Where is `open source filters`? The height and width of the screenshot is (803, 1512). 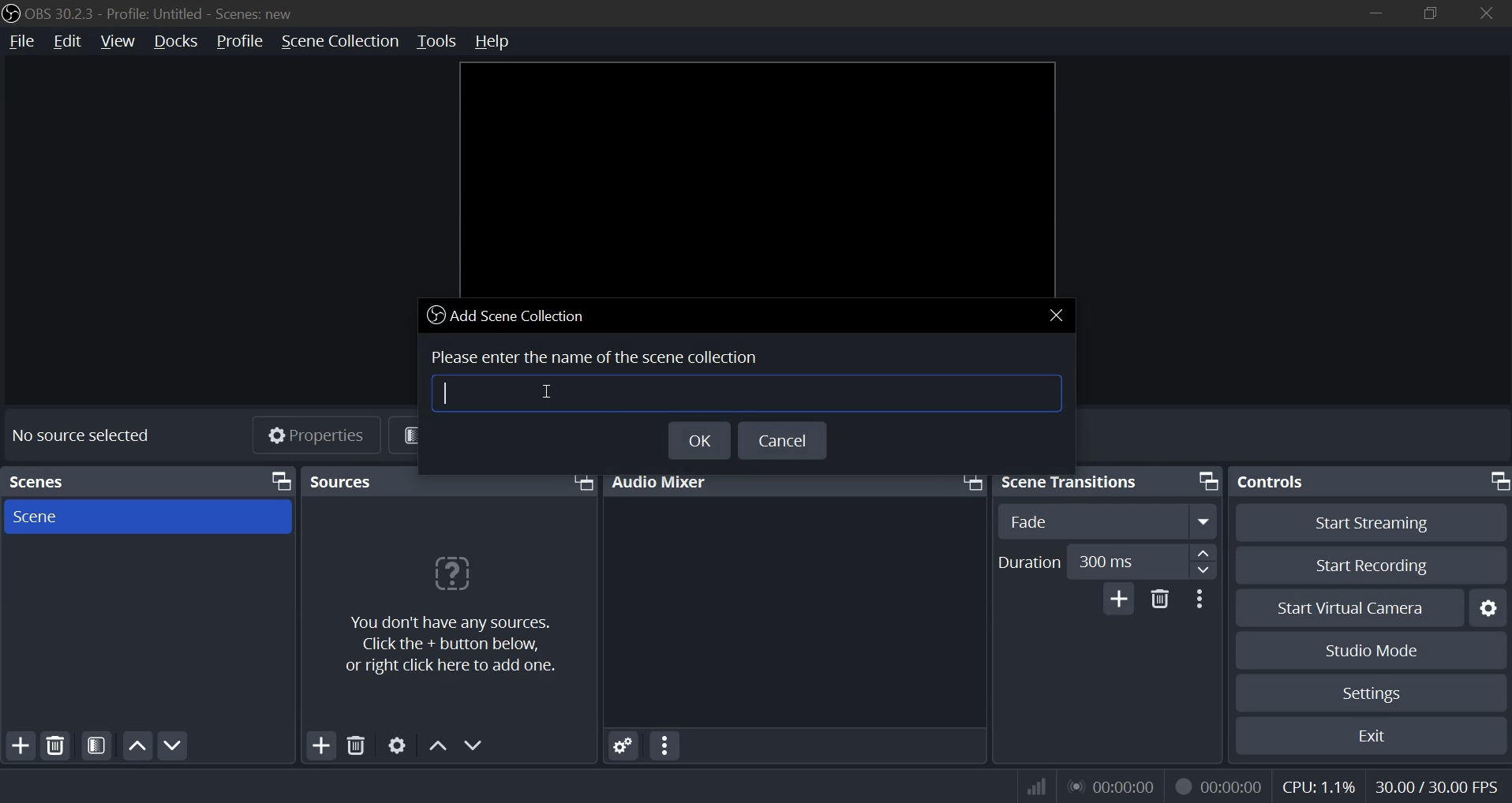 open source filters is located at coordinates (95, 745).